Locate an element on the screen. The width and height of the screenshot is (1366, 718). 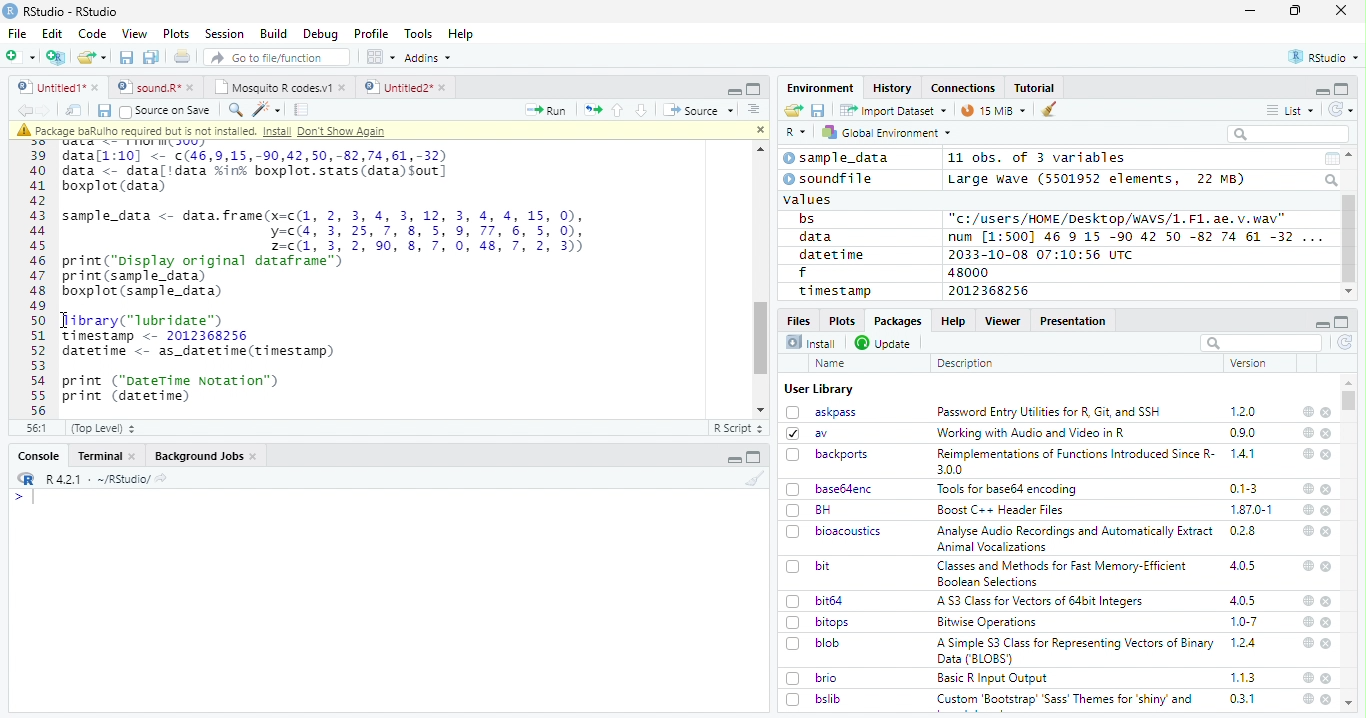
minimize is located at coordinates (1321, 90).